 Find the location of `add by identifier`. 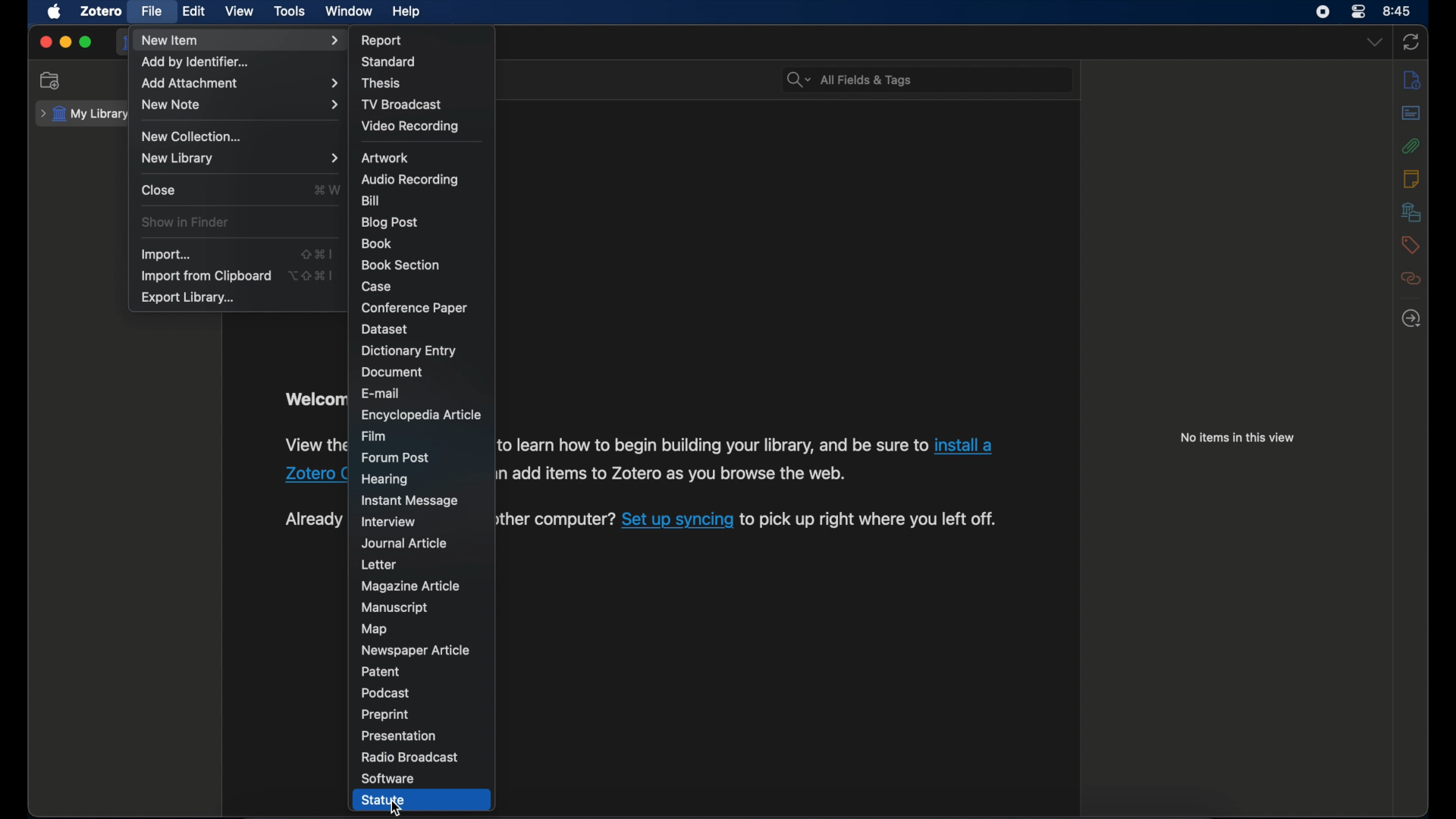

add by identifier is located at coordinates (196, 64).